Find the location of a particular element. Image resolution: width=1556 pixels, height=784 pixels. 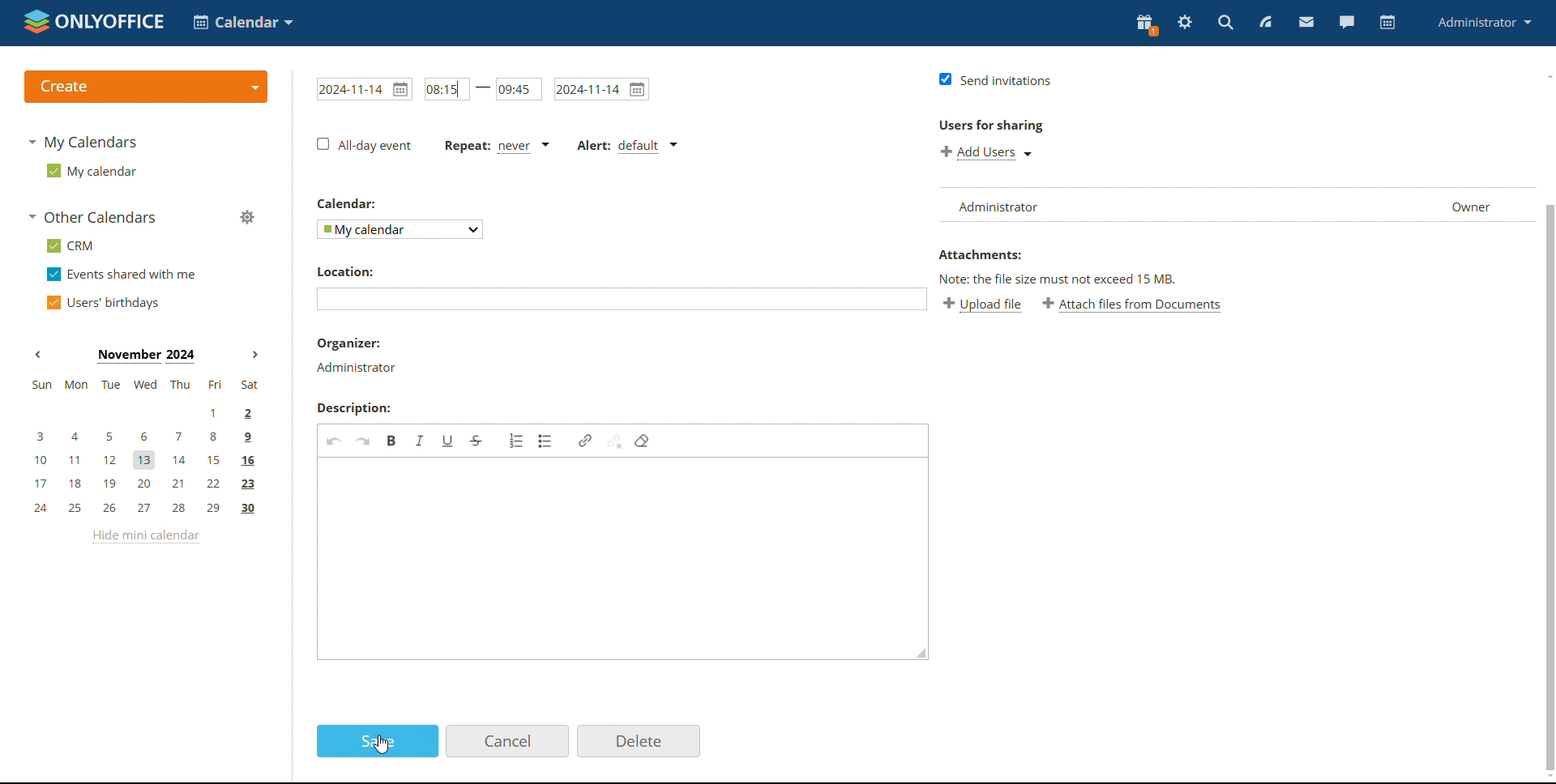

search is located at coordinates (1227, 23).